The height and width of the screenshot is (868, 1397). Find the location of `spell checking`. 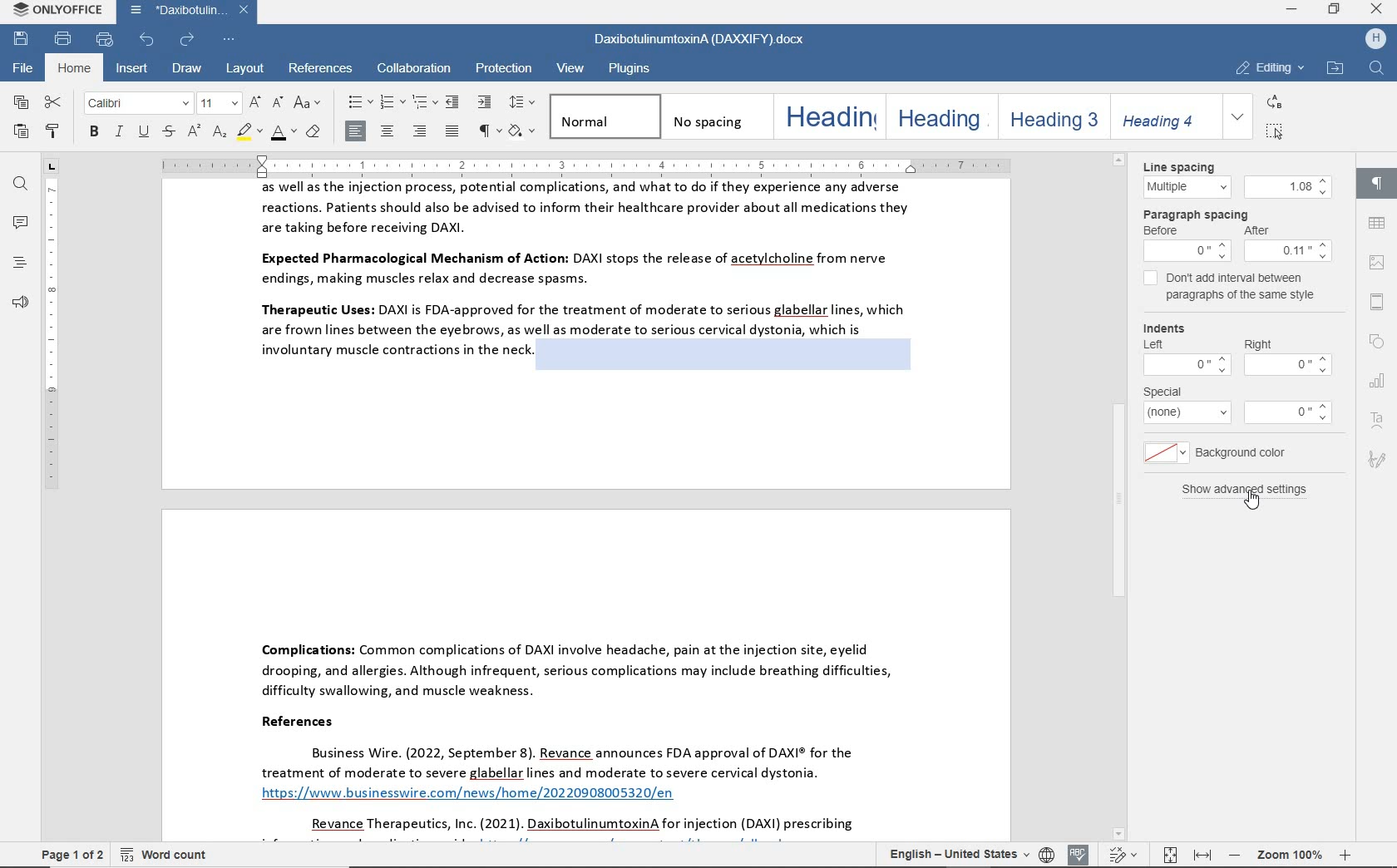

spell checking is located at coordinates (1079, 855).